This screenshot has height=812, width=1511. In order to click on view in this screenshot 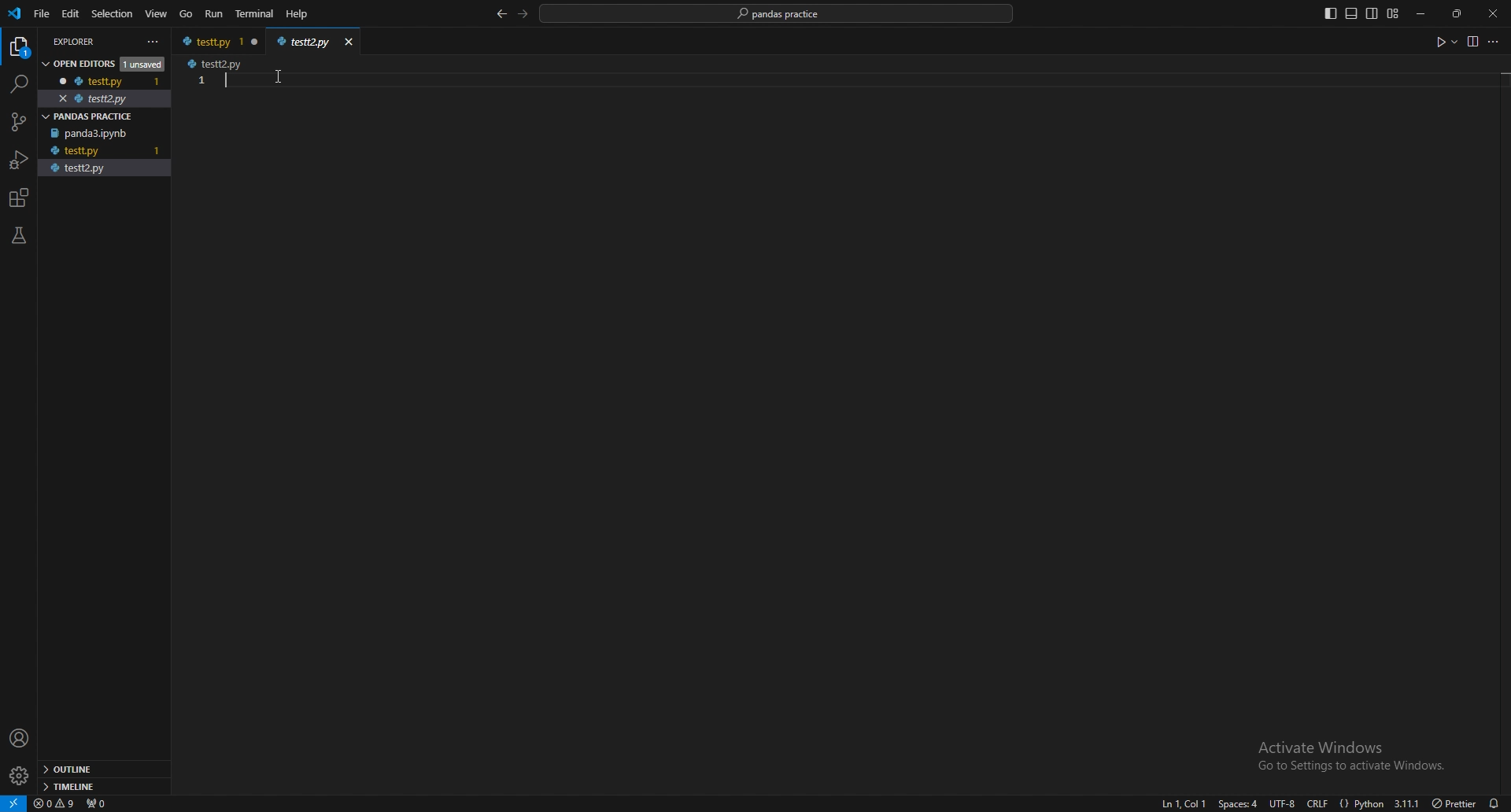, I will do `click(1472, 41)`.